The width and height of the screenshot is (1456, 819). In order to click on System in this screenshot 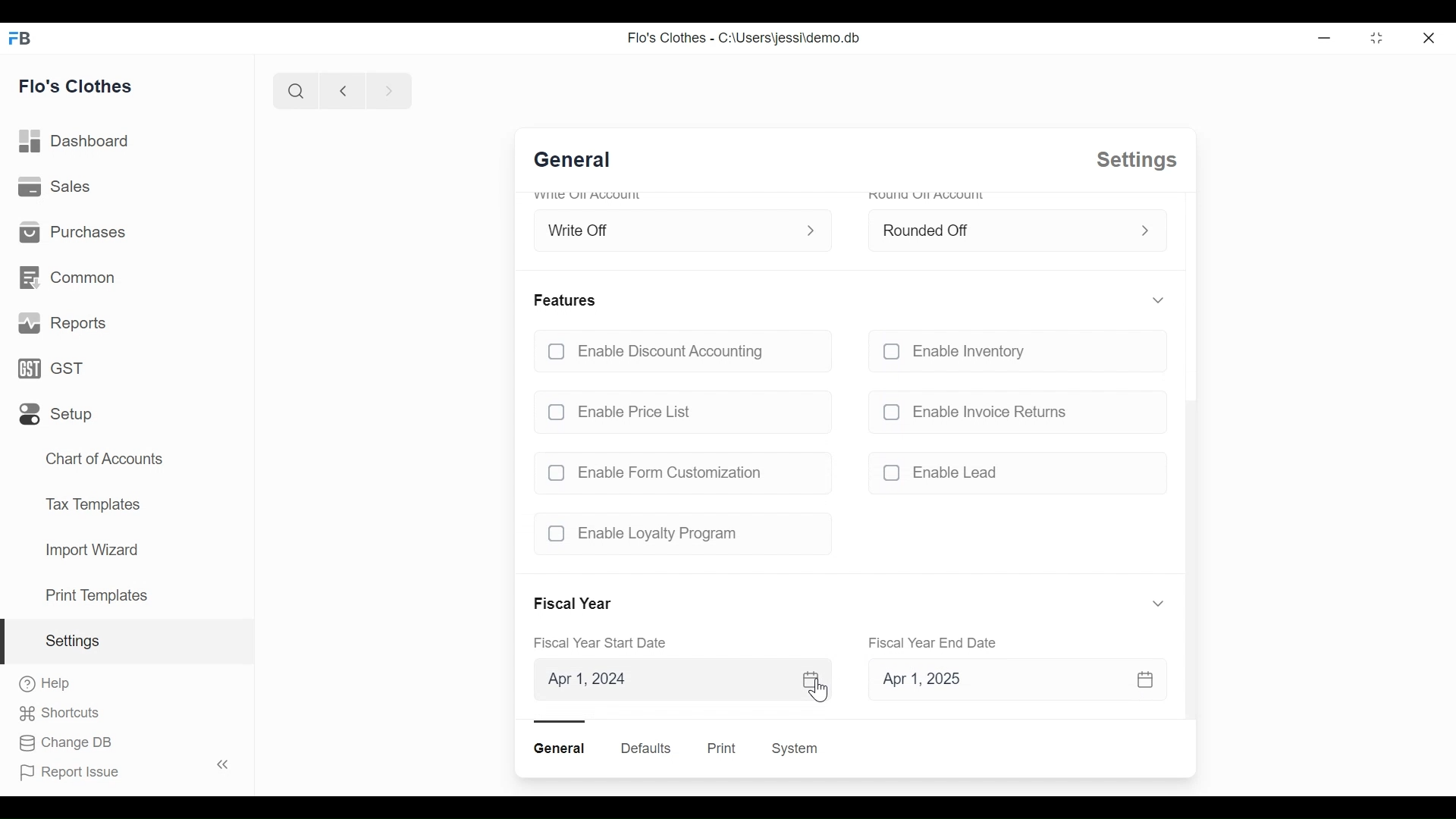, I will do `click(798, 748)`.